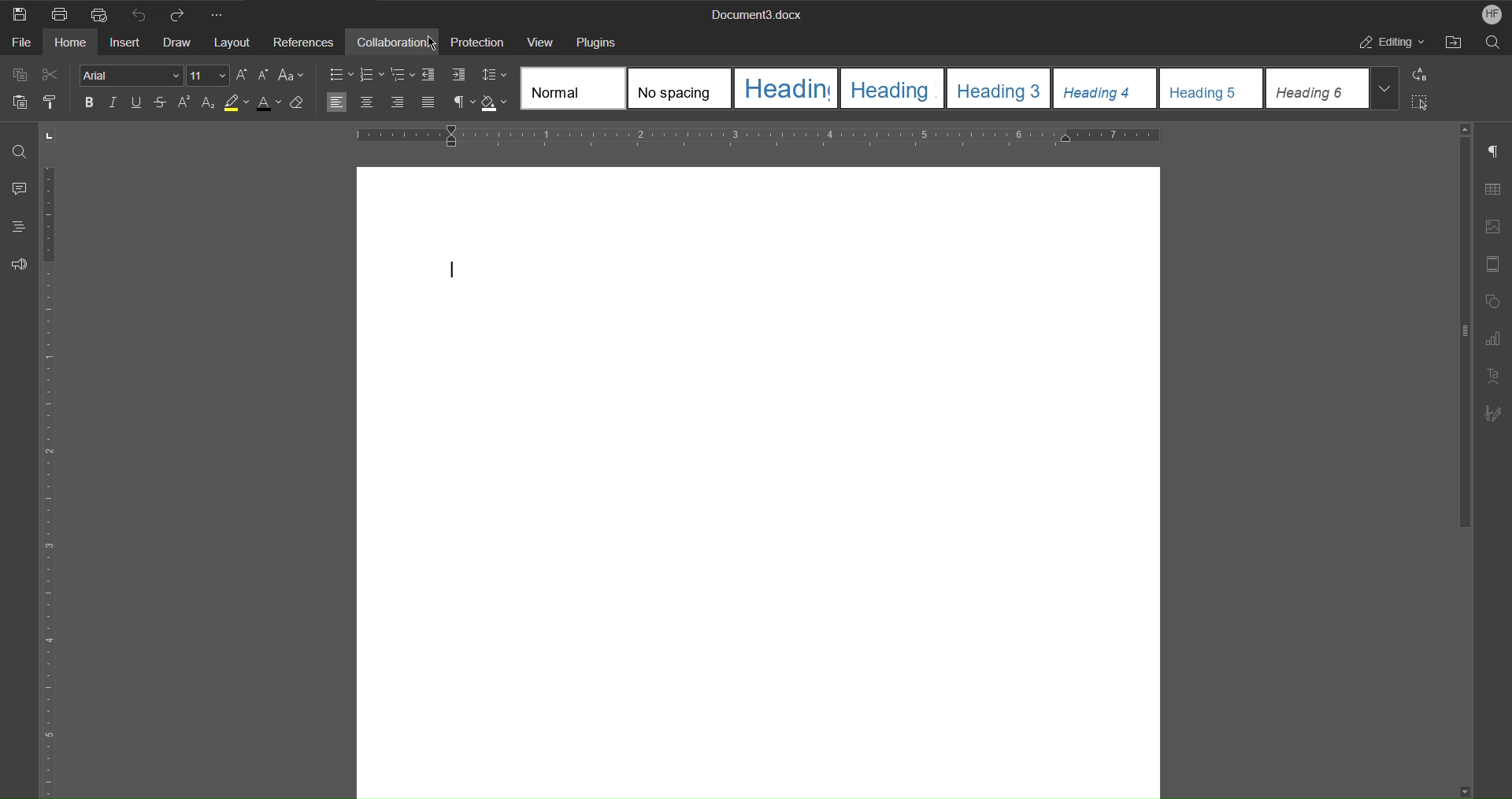 Image resolution: width=1512 pixels, height=799 pixels. What do you see at coordinates (1496, 222) in the screenshot?
I see `Image Settings` at bounding box center [1496, 222].